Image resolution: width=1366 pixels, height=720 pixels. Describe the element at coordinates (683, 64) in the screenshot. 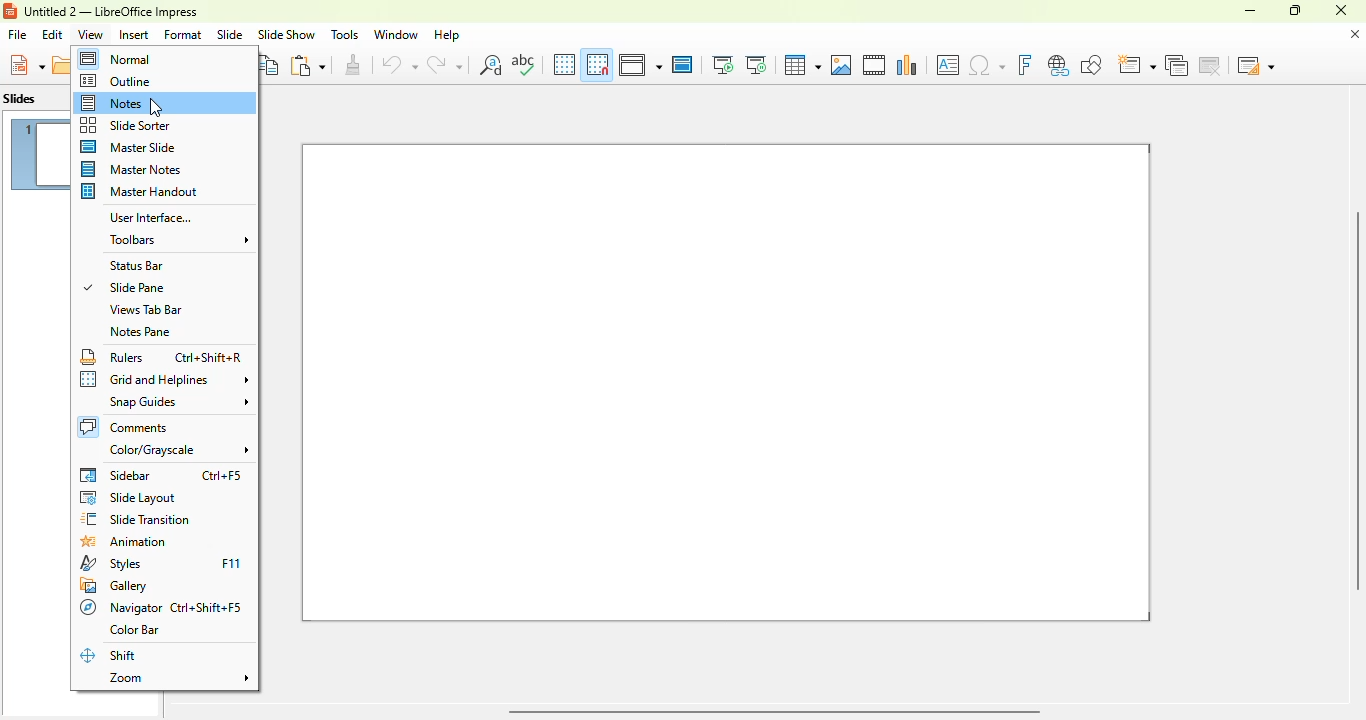

I see `master slide` at that location.